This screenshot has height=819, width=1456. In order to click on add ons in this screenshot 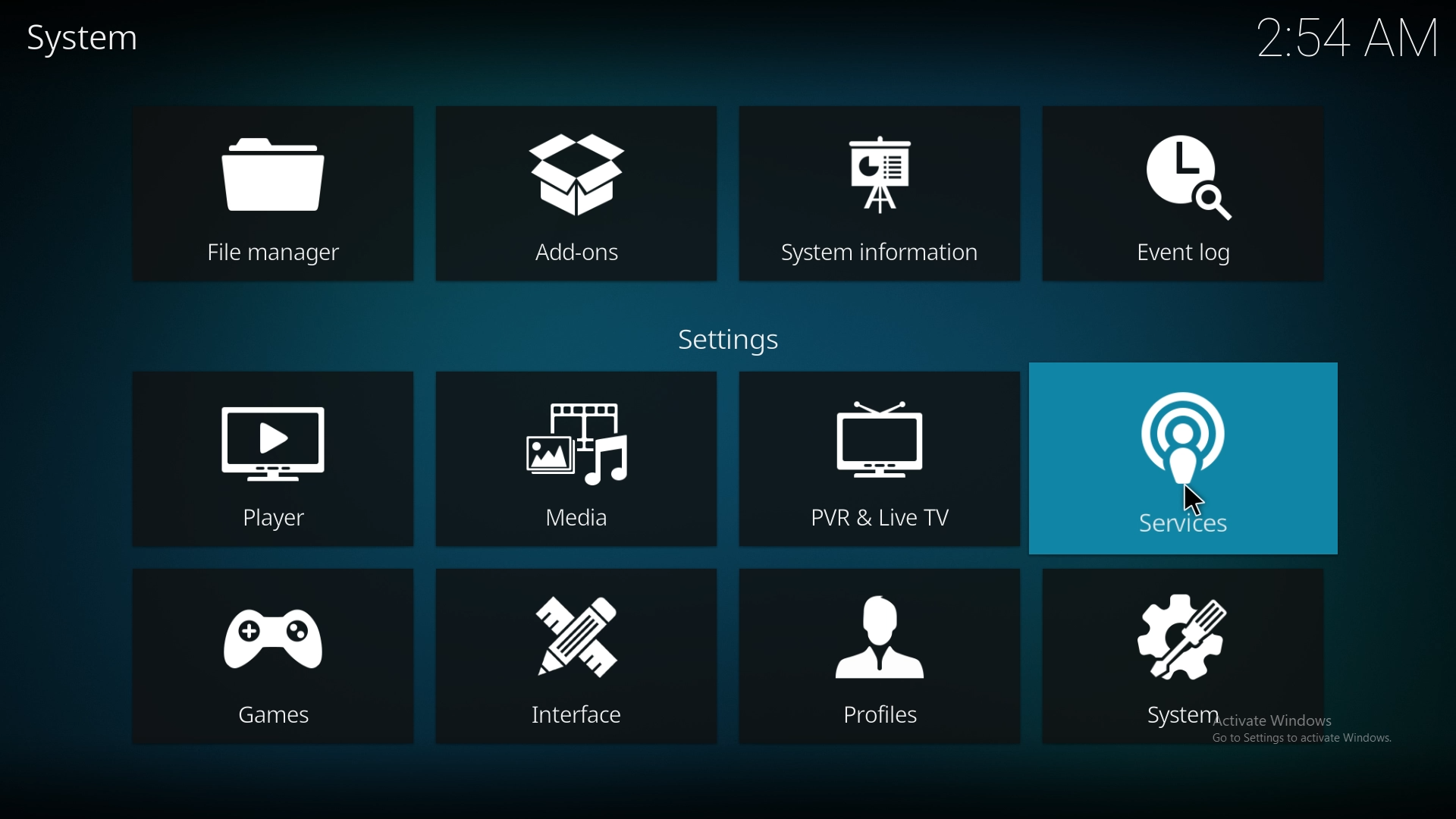, I will do `click(579, 190)`.